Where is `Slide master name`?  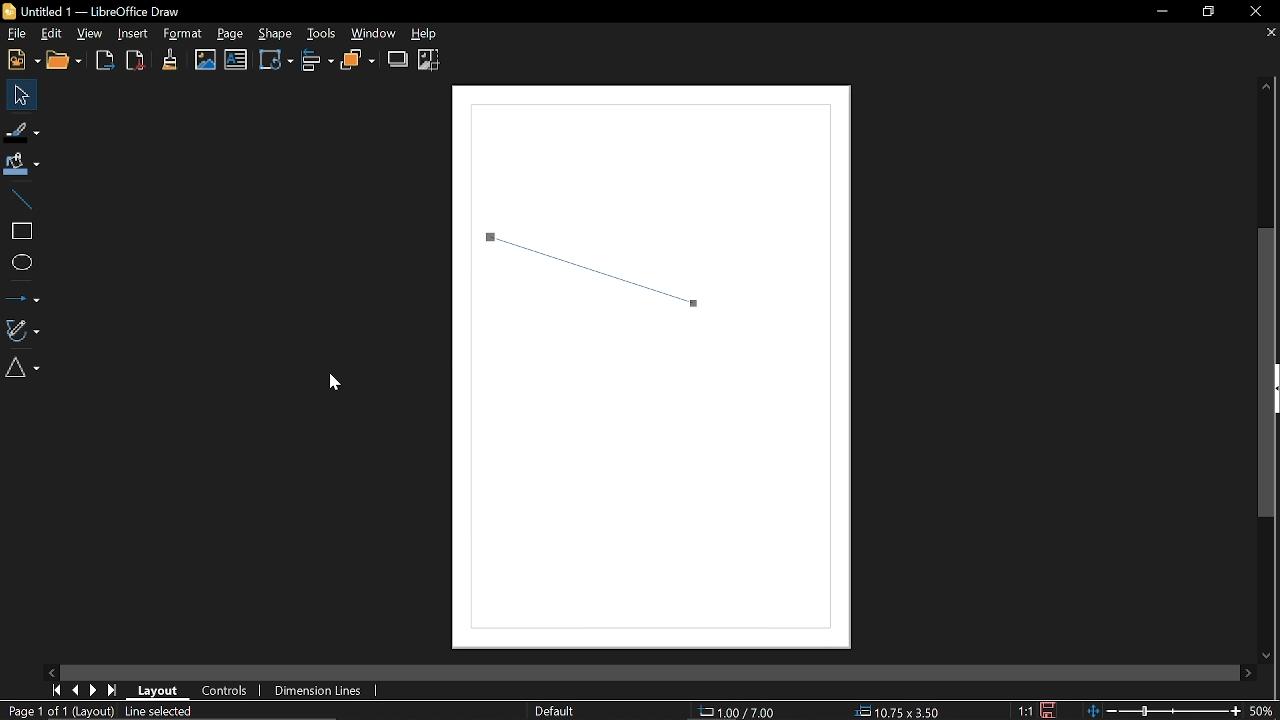
Slide master name is located at coordinates (572, 710).